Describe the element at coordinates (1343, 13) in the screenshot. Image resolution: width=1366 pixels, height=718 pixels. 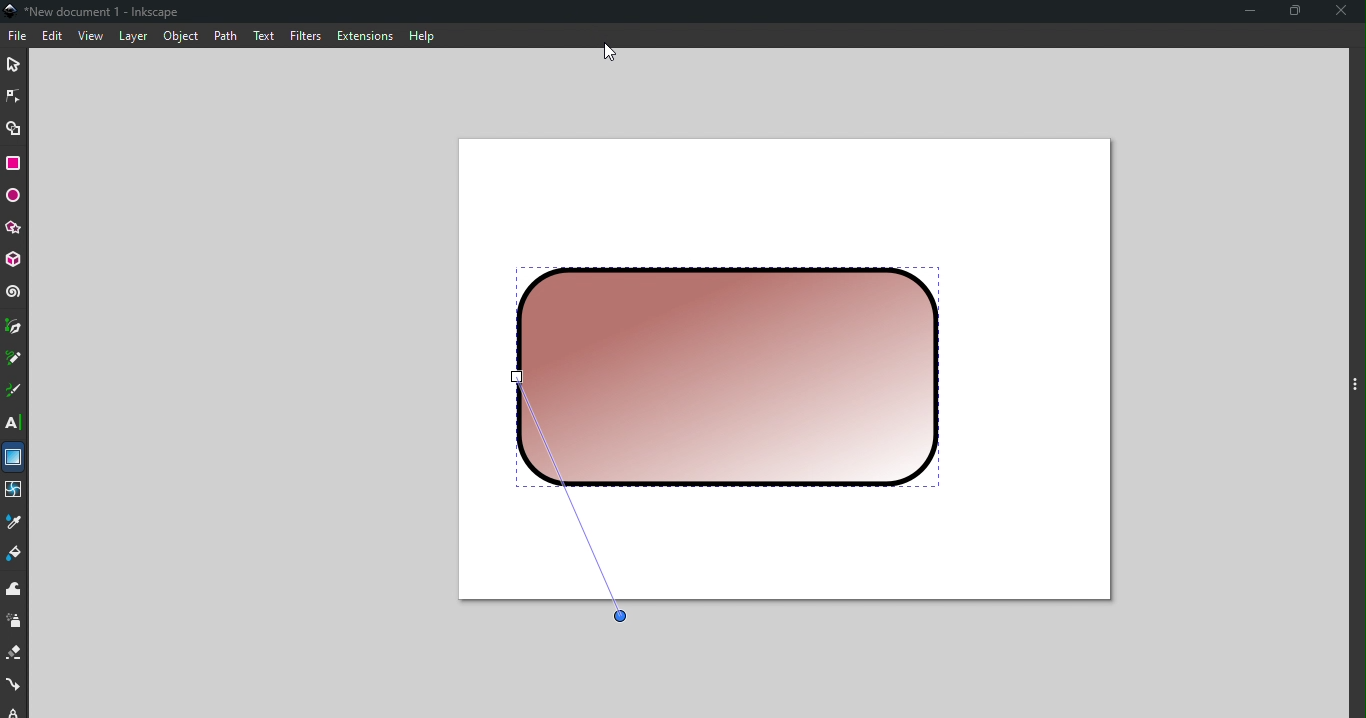
I see `Close` at that location.